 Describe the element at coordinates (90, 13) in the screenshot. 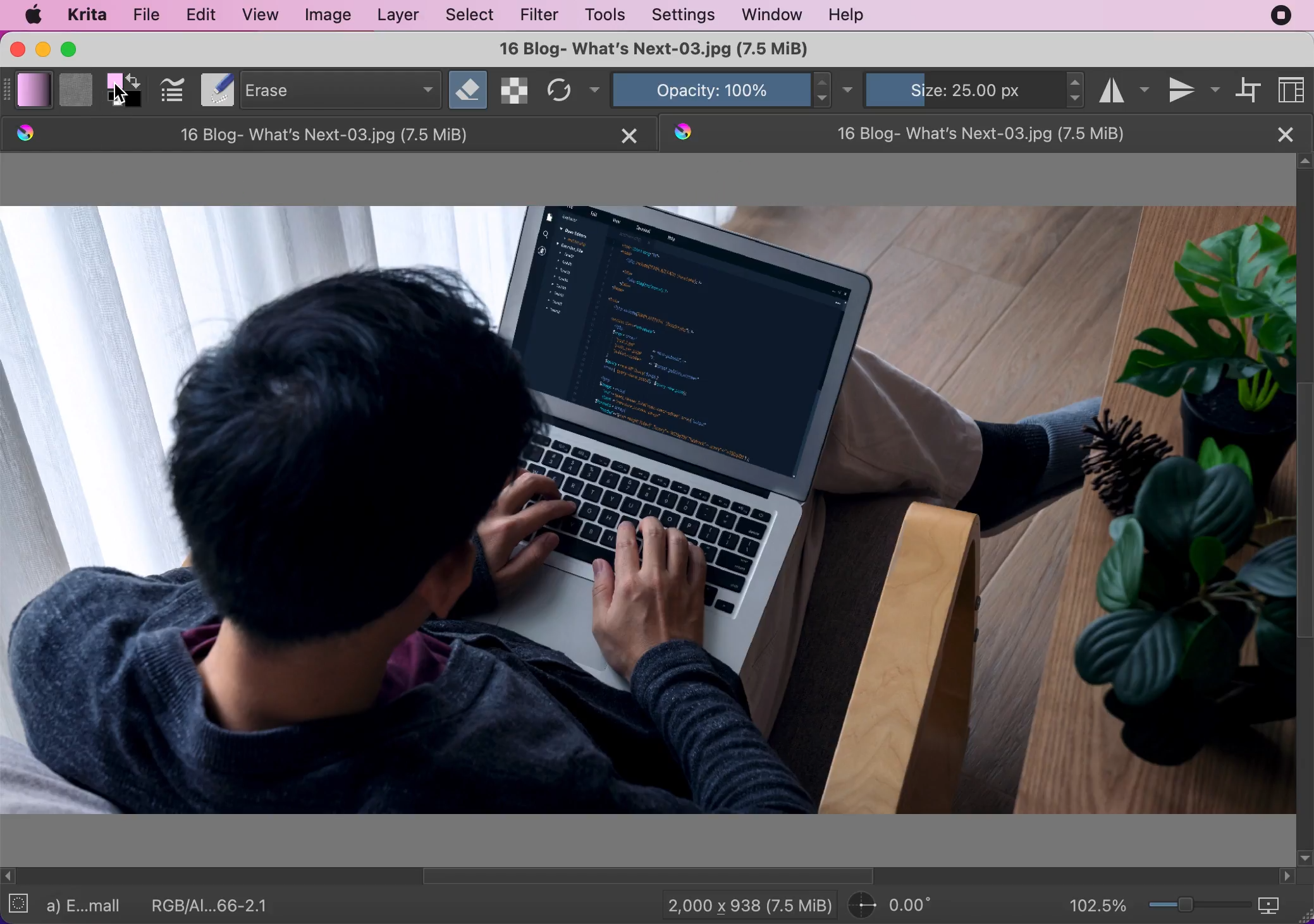

I see `krita` at that location.